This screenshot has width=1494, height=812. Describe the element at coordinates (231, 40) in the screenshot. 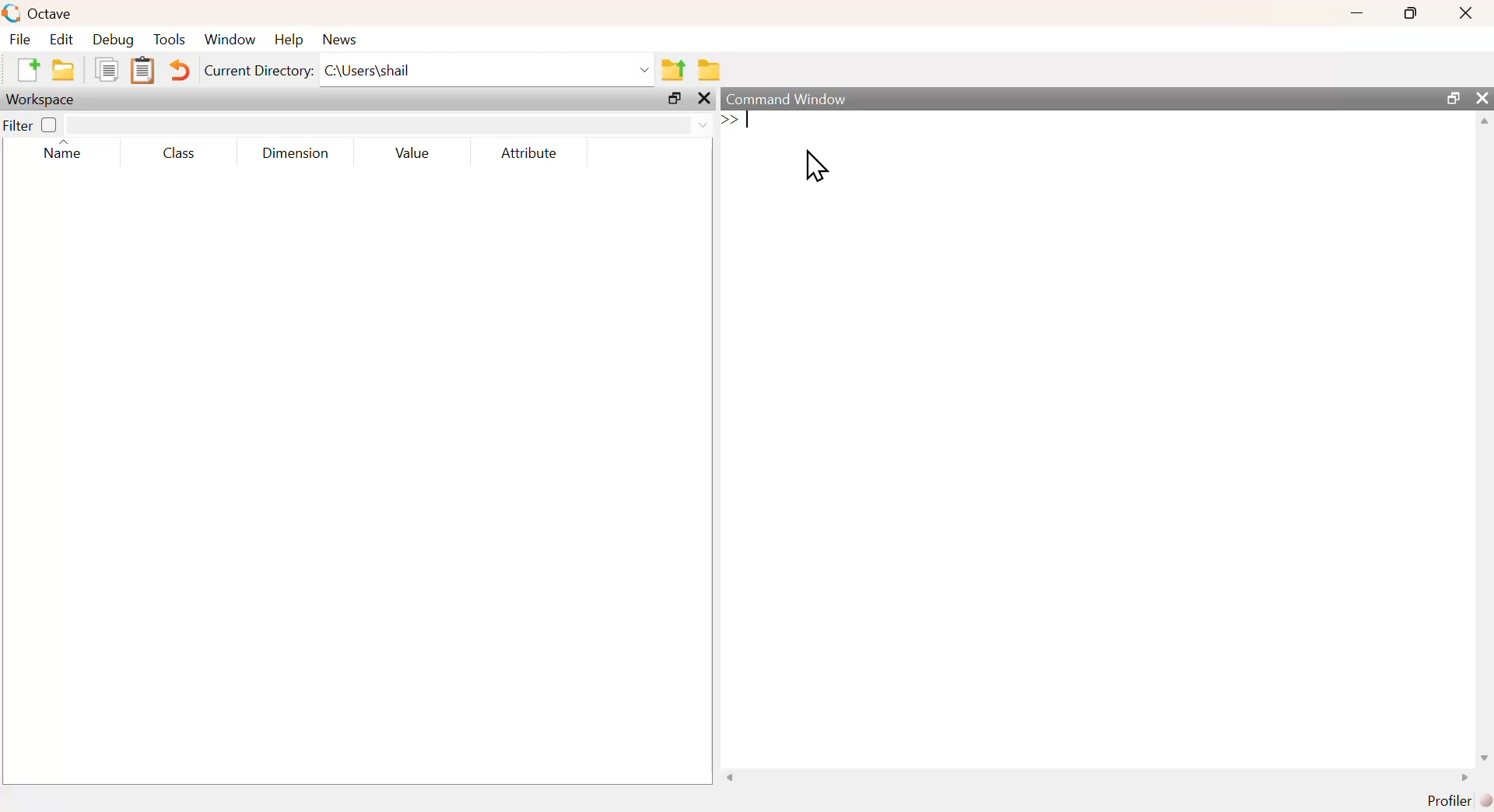

I see `window` at that location.